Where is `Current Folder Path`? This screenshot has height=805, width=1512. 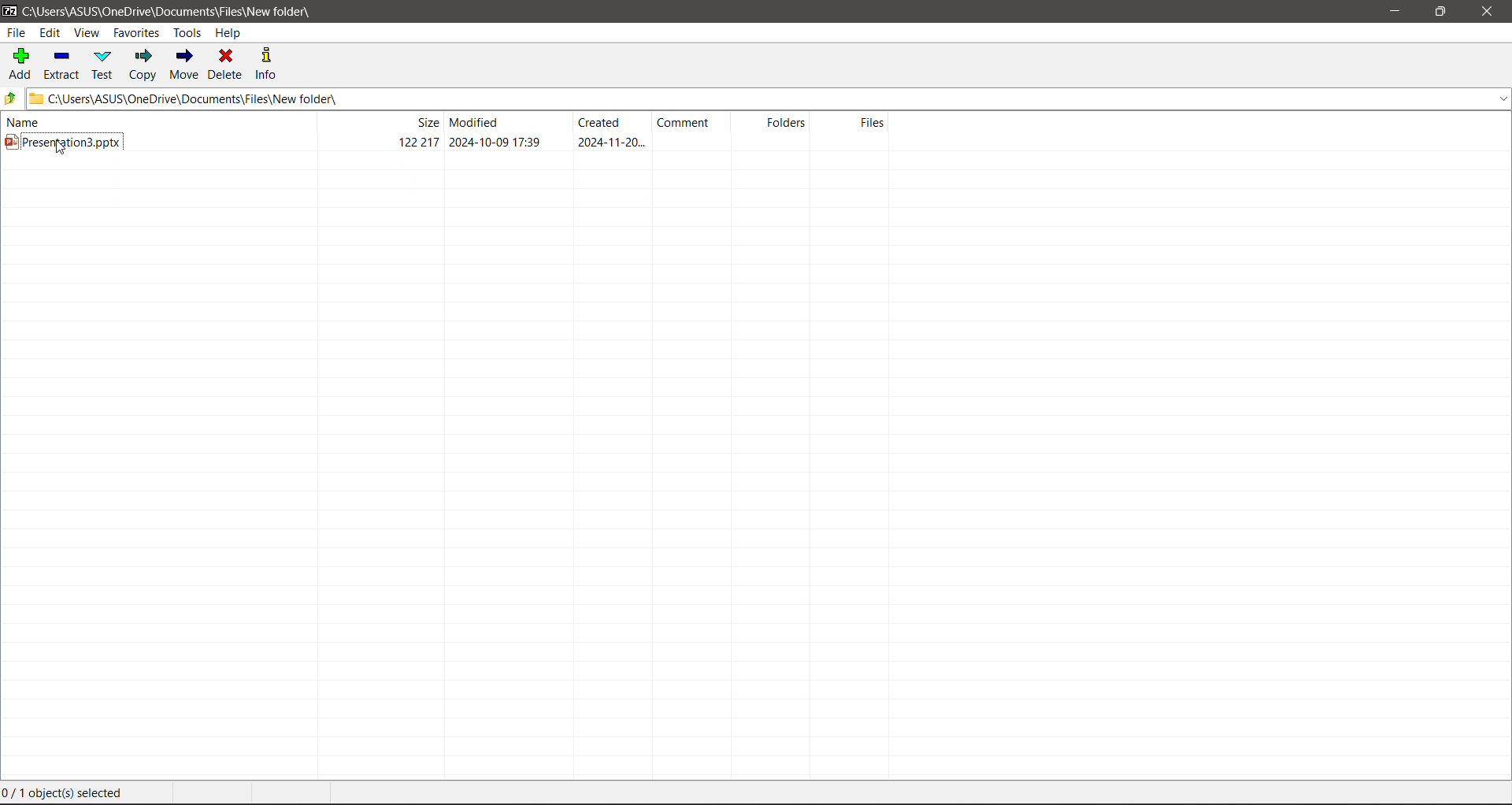 Current Folder Path is located at coordinates (769, 98).